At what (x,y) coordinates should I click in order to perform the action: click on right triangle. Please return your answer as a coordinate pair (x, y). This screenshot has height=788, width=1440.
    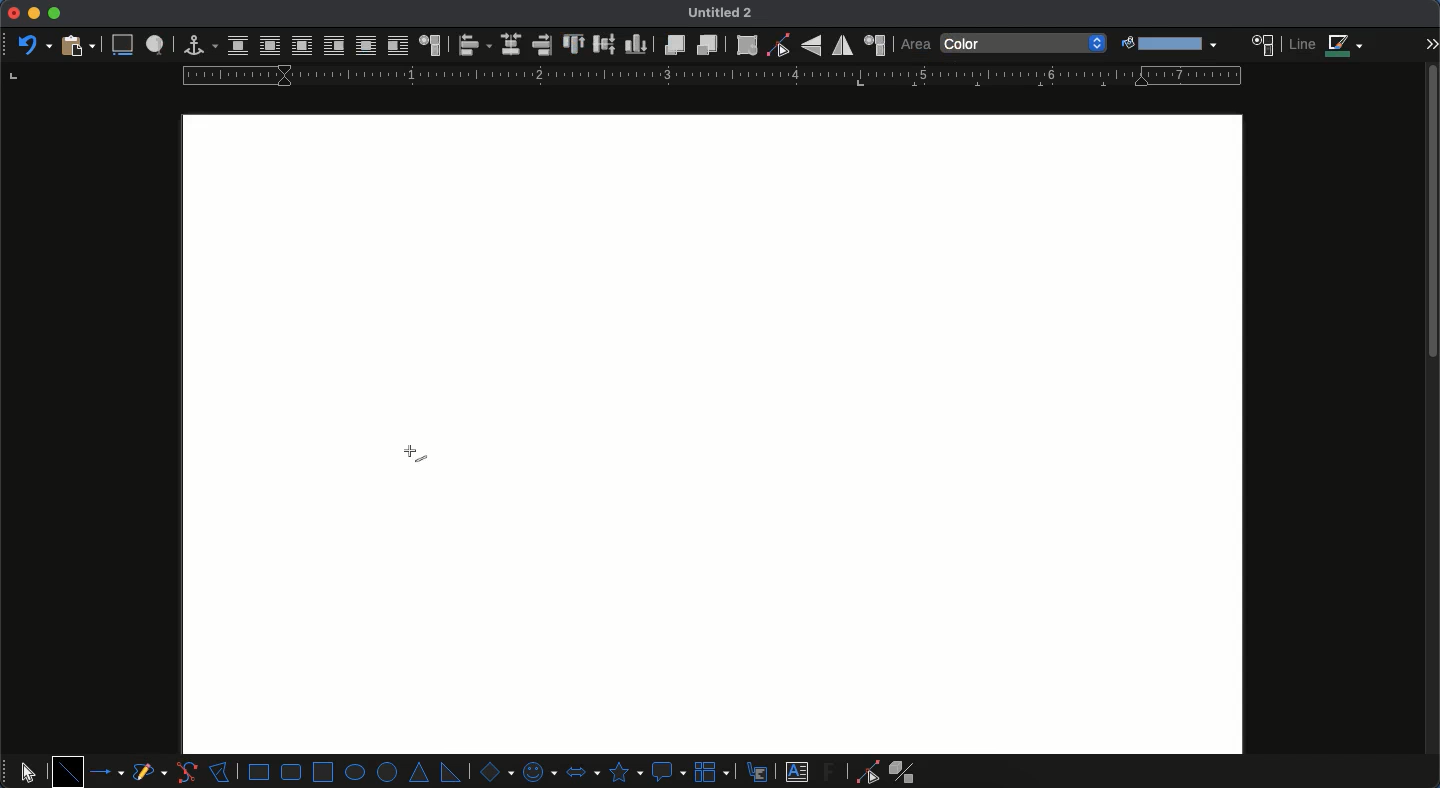
    Looking at the image, I should click on (450, 771).